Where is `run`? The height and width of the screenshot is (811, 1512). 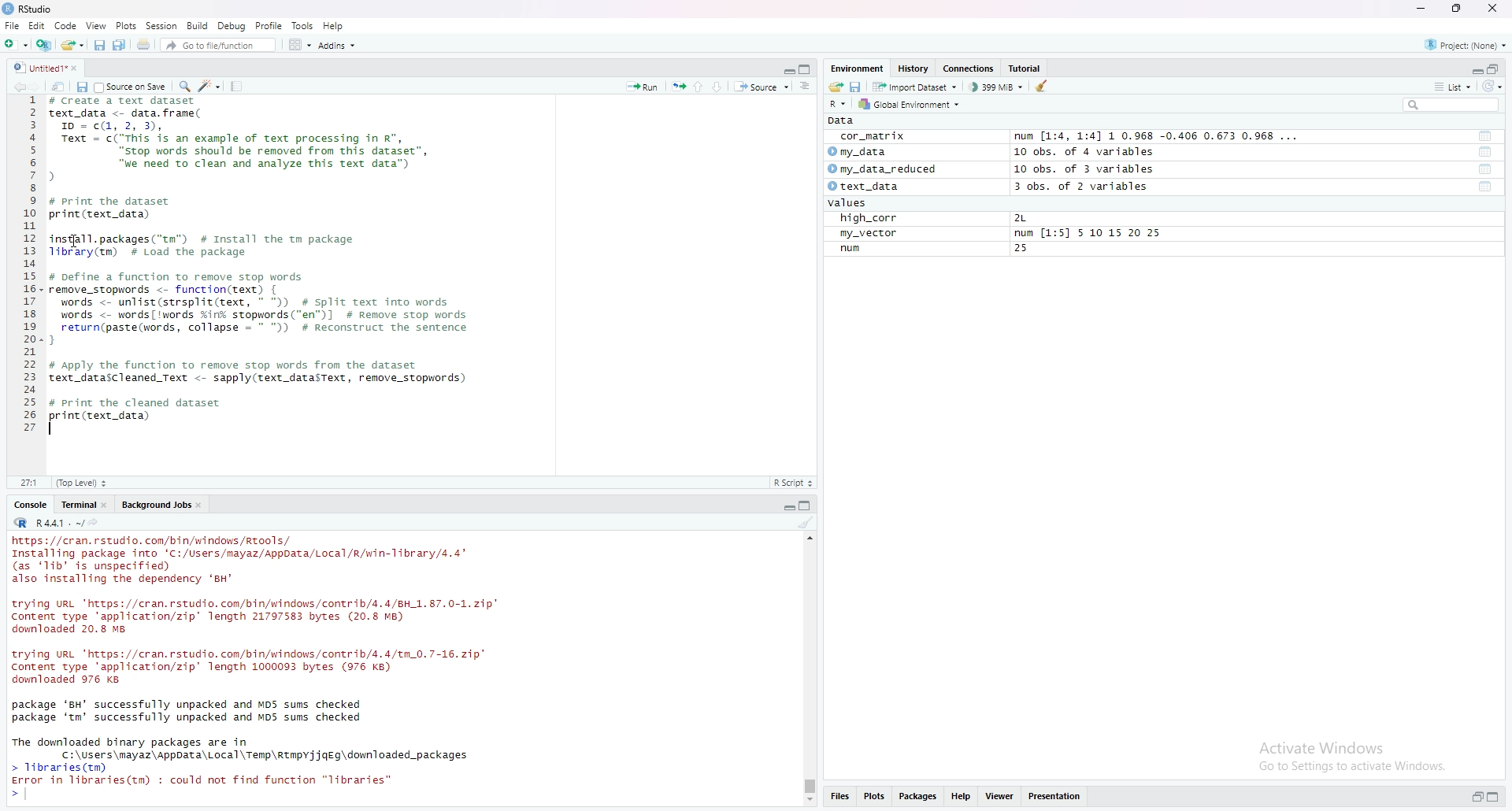 run is located at coordinates (847, 249).